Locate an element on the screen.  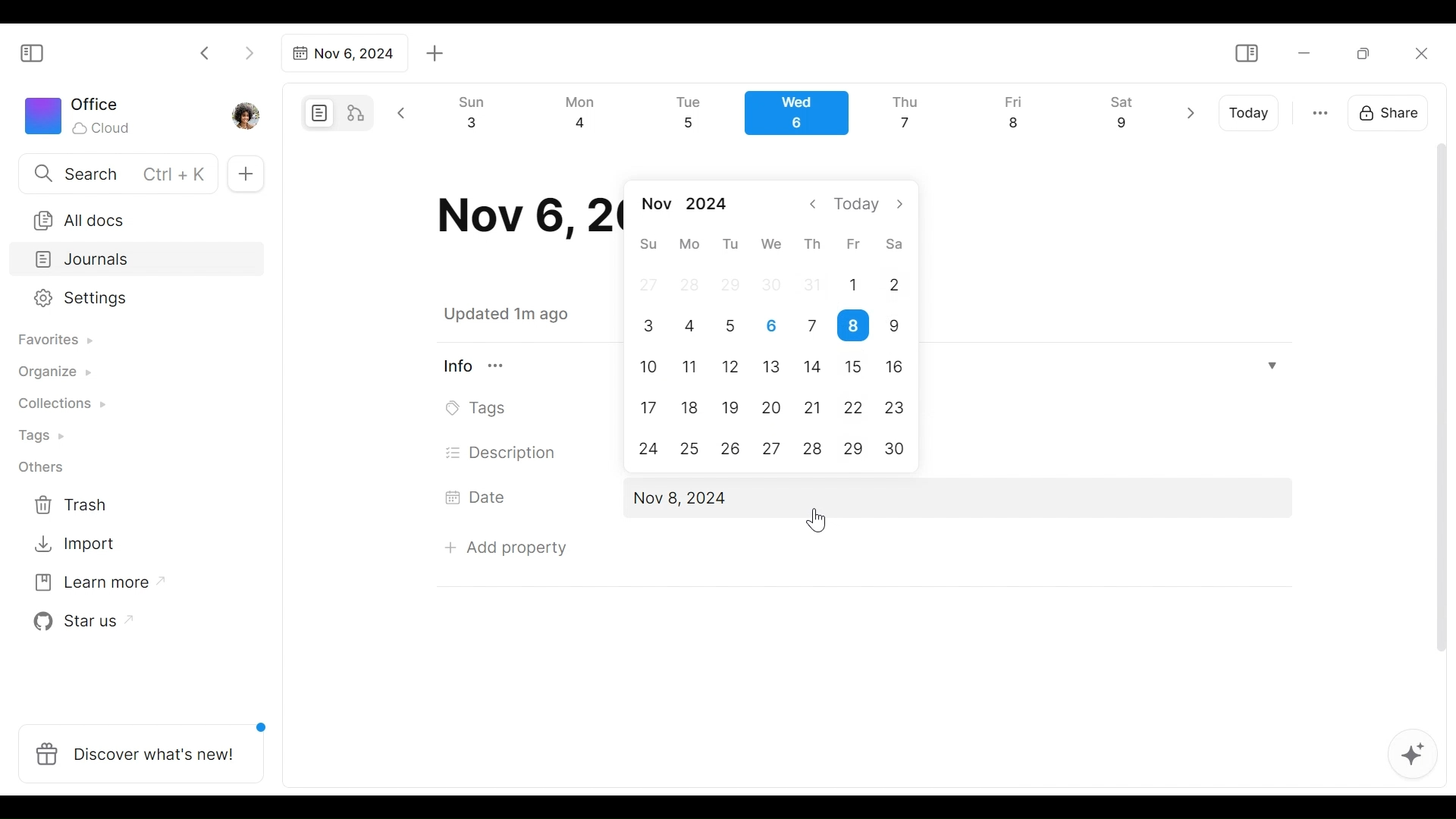
Saved is located at coordinates (525, 314).